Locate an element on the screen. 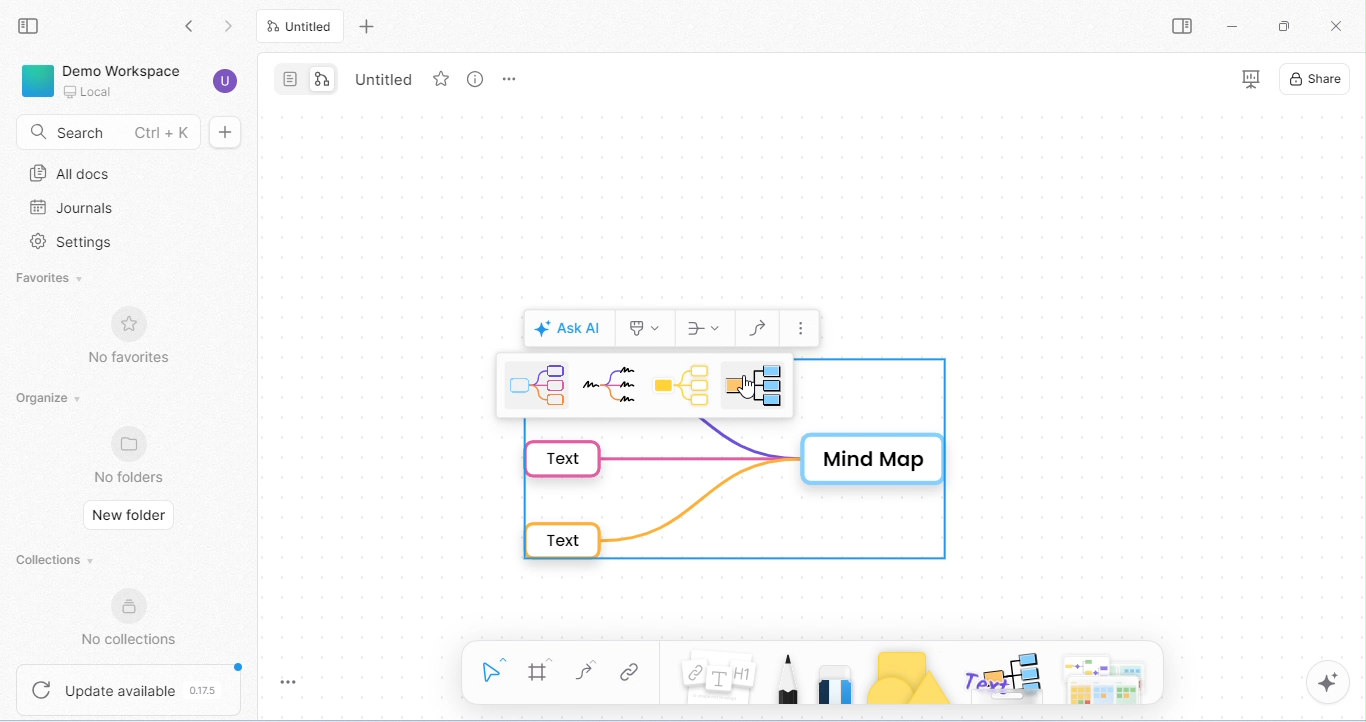  cursor movement is located at coordinates (749, 387).